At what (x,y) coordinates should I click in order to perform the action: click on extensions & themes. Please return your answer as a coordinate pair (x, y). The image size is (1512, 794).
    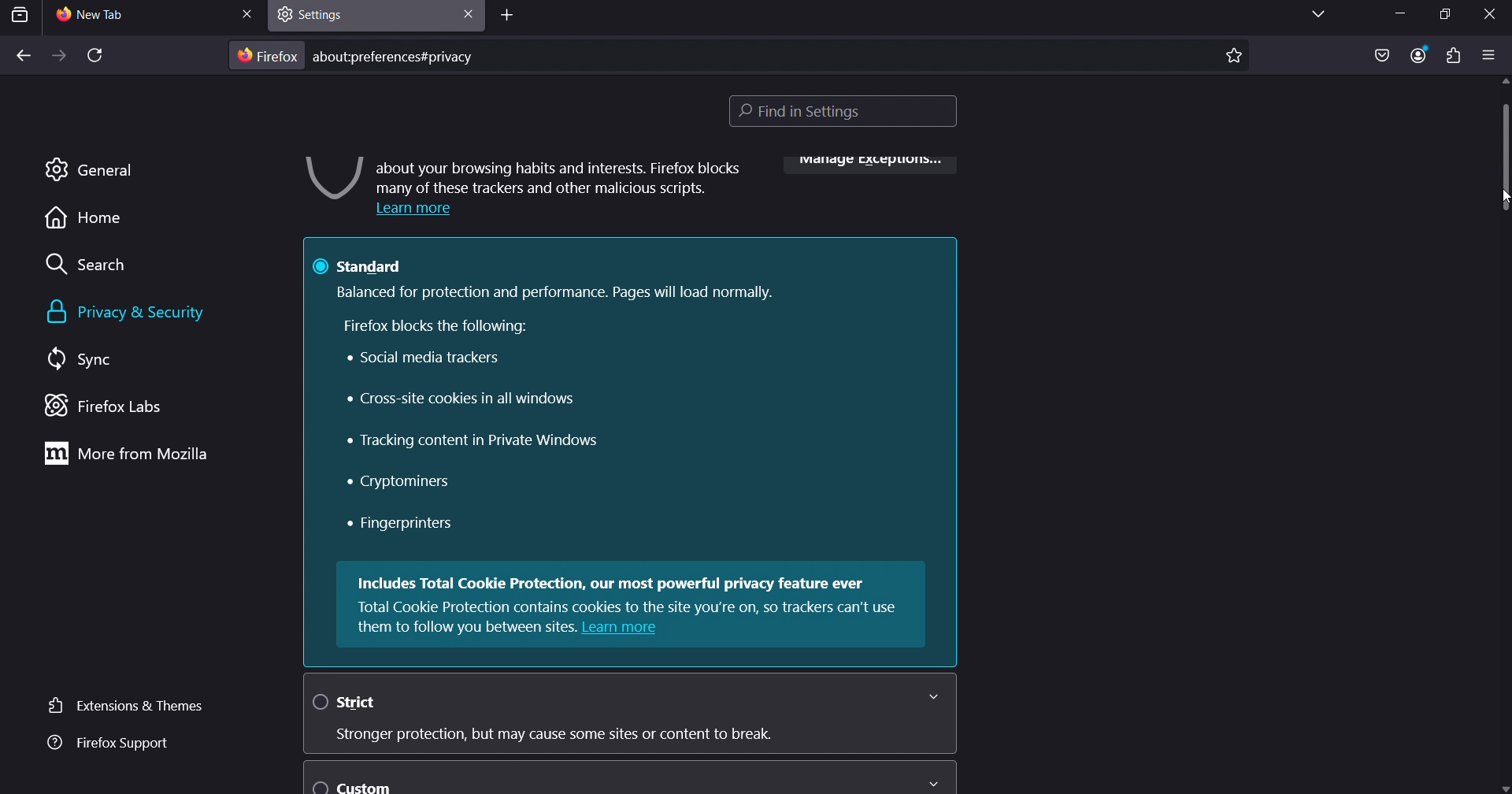
    Looking at the image, I should click on (121, 704).